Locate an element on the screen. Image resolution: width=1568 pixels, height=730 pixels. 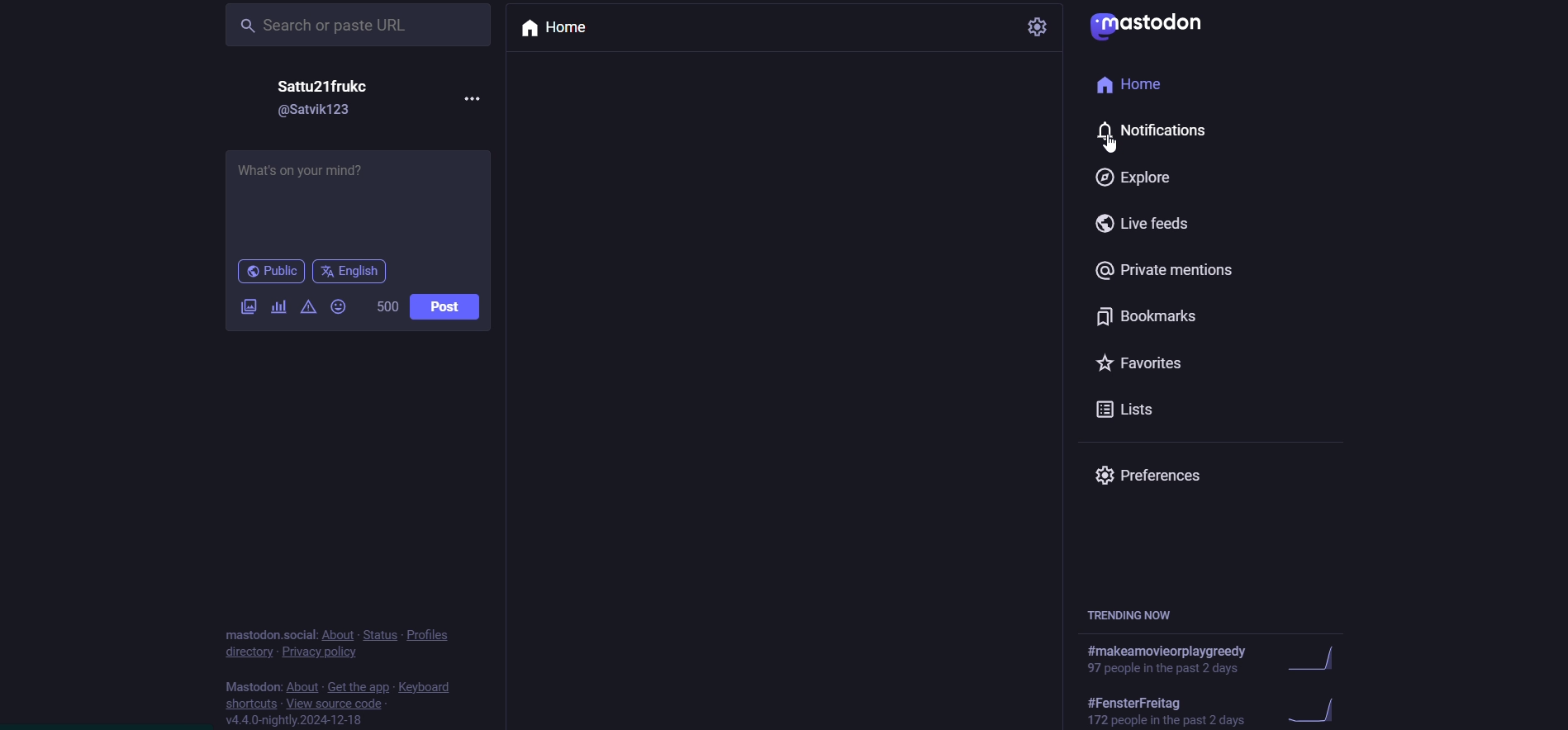
Explore is located at coordinates (1133, 178).